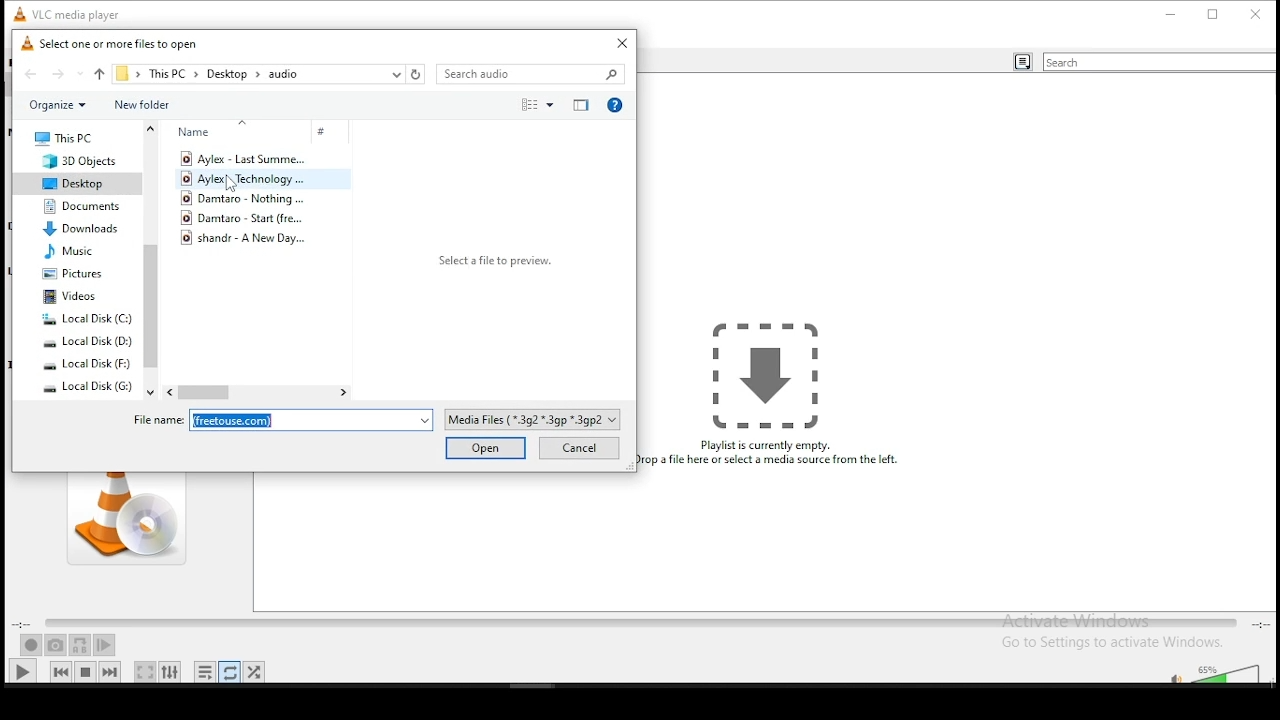  What do you see at coordinates (57, 105) in the screenshot?
I see `organize` at bounding box center [57, 105].